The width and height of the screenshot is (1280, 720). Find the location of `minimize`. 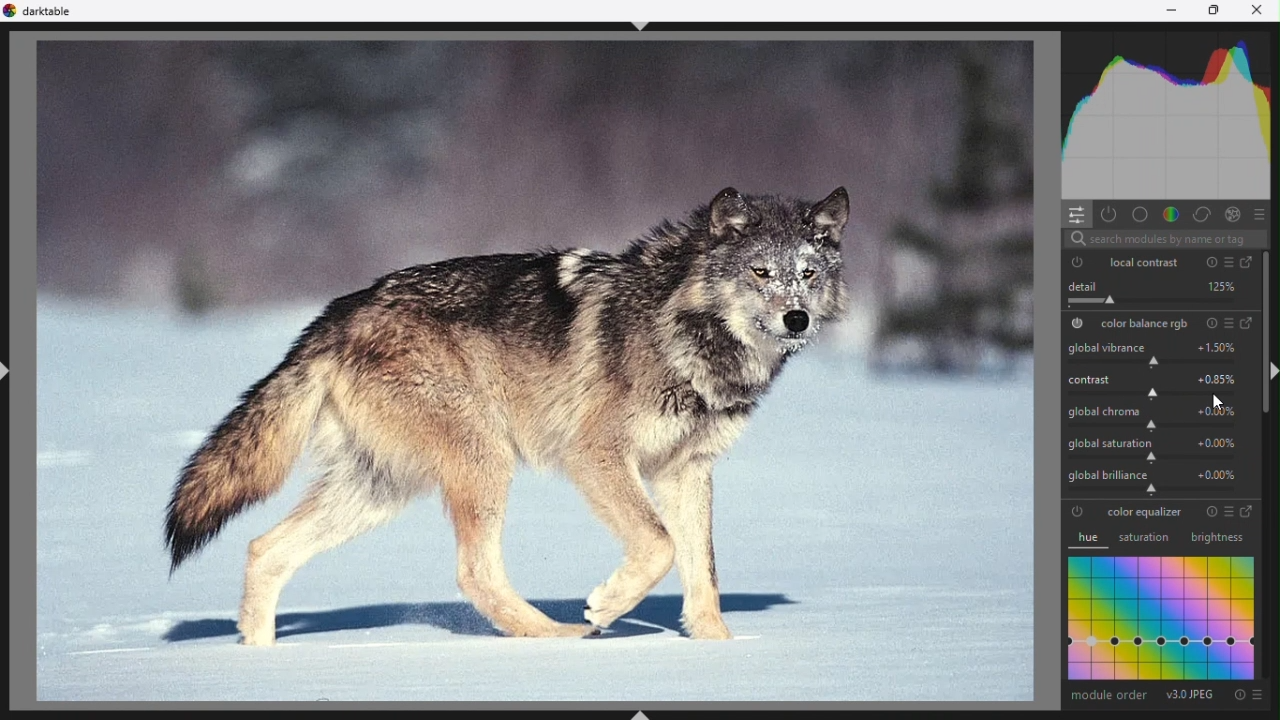

minimize is located at coordinates (1172, 11).